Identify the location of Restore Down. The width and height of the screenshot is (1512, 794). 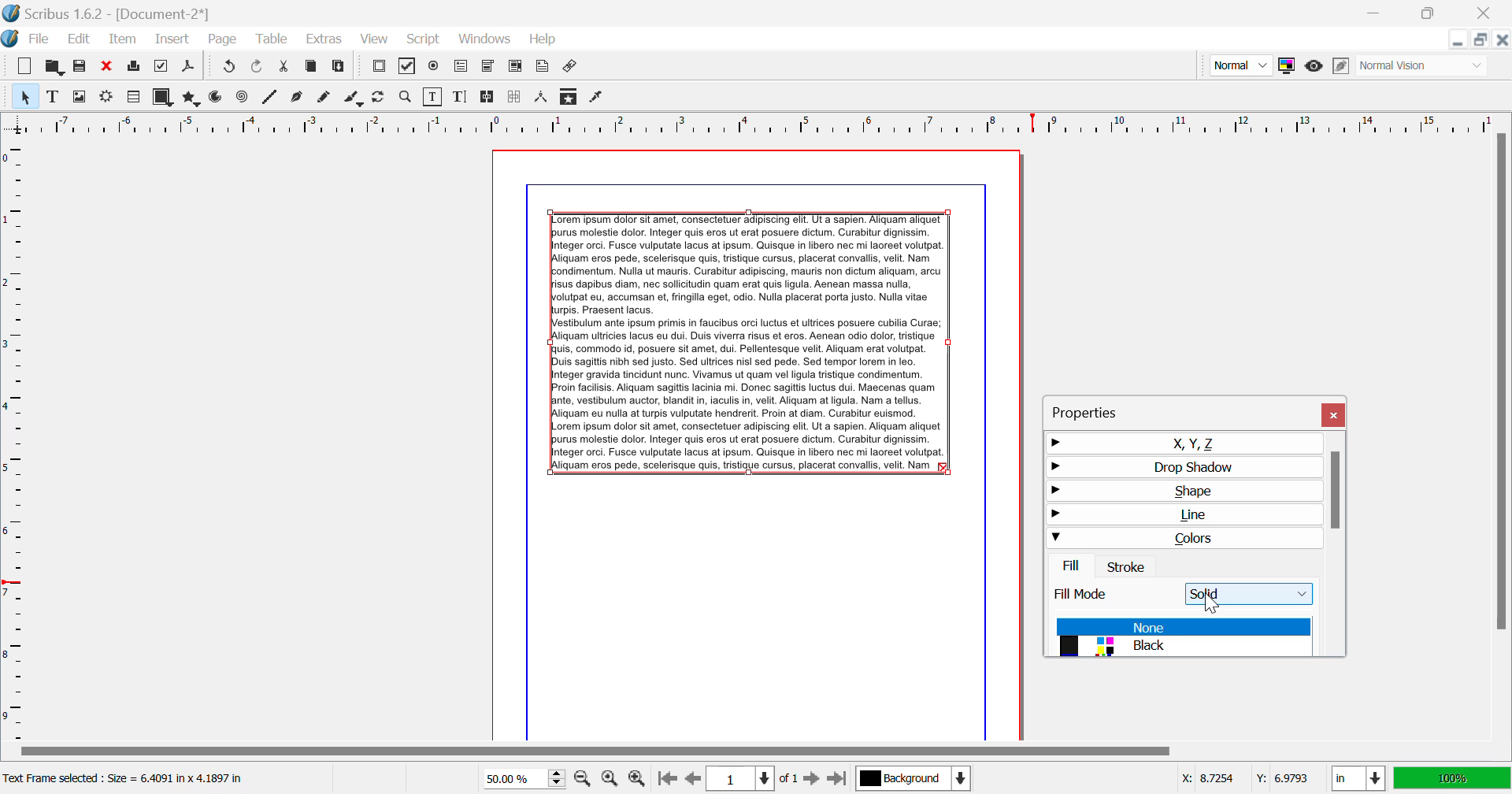
(1378, 13).